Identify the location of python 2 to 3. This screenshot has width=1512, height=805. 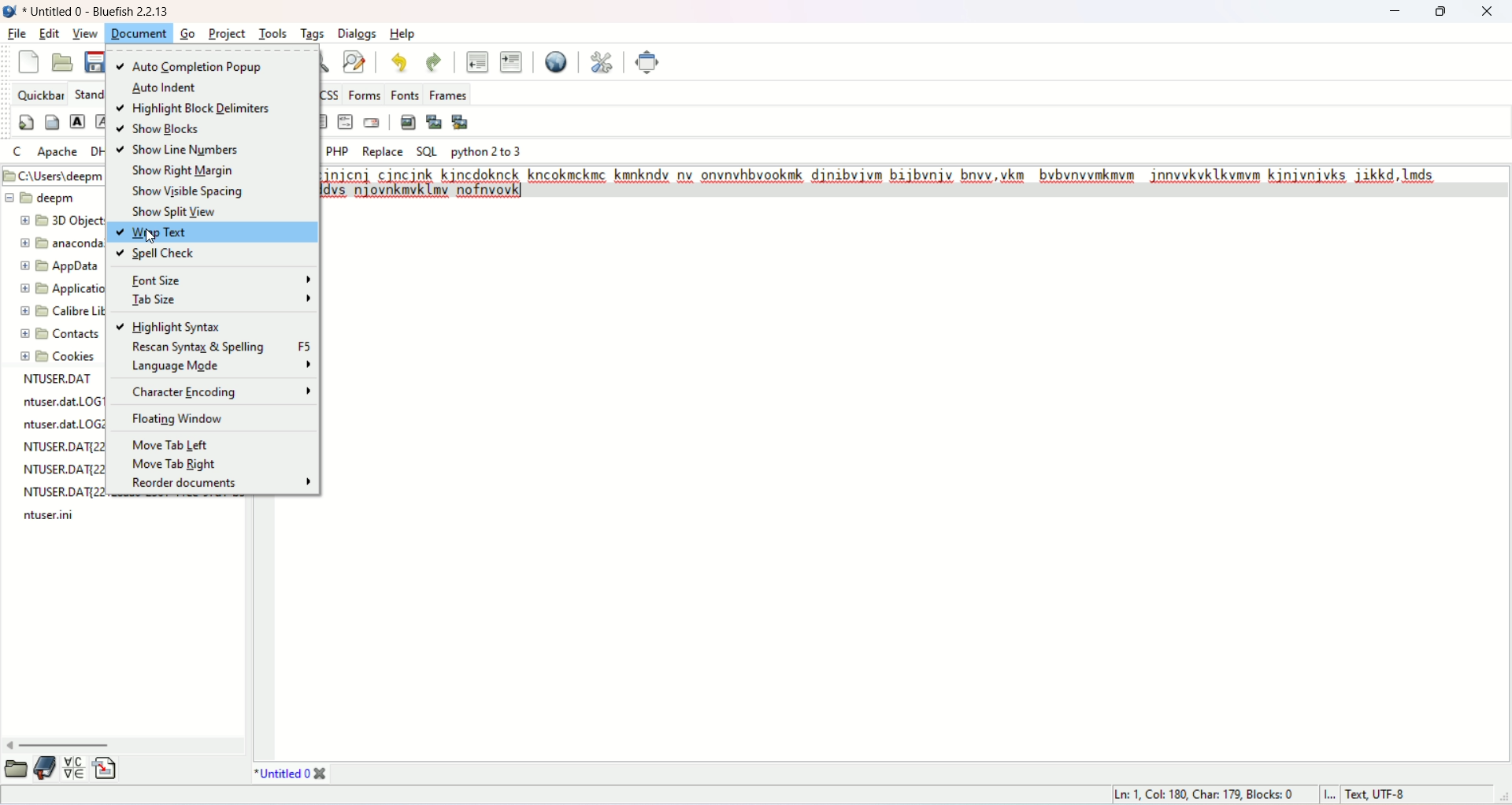
(487, 151).